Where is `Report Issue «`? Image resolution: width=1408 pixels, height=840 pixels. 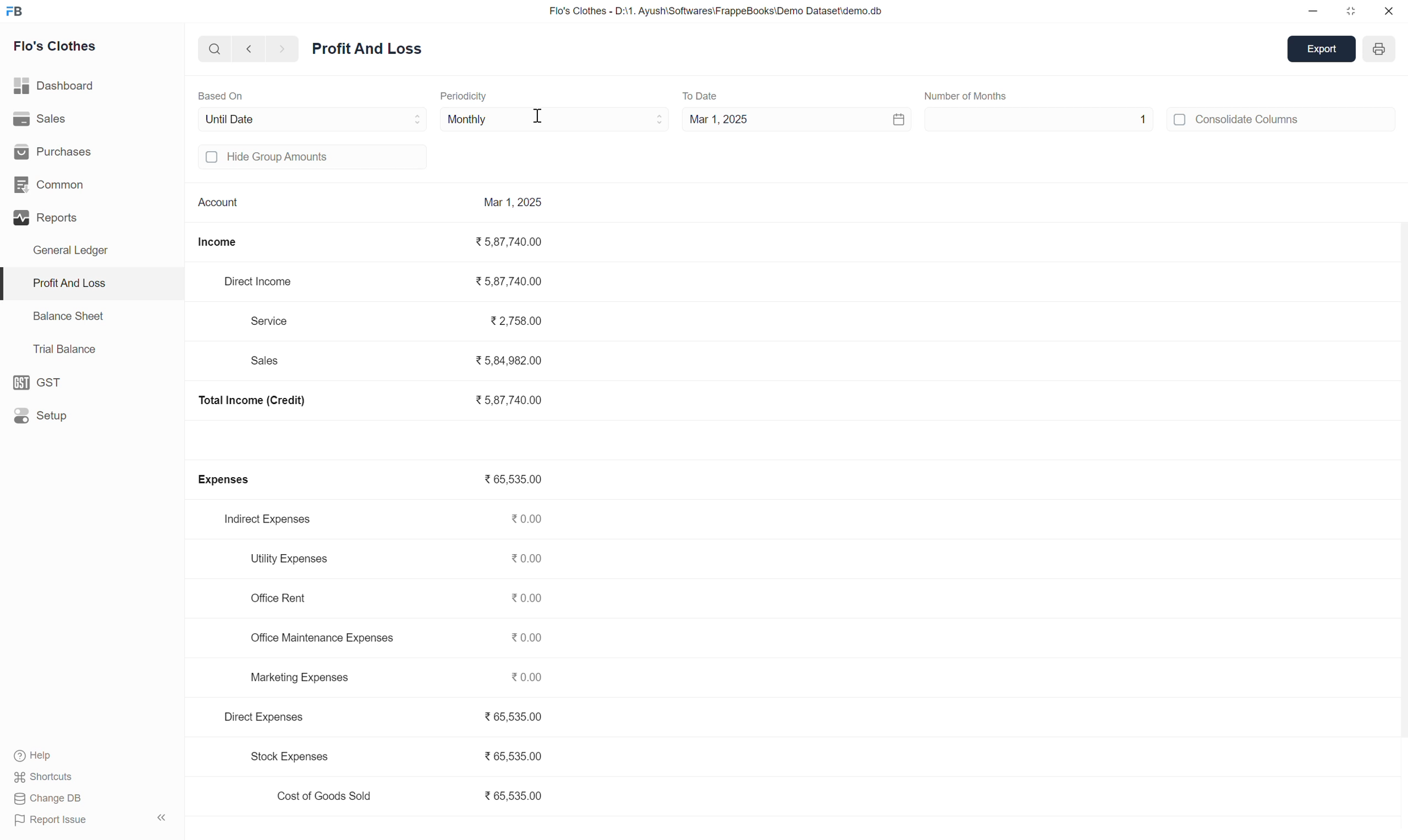
Report Issue « is located at coordinates (93, 820).